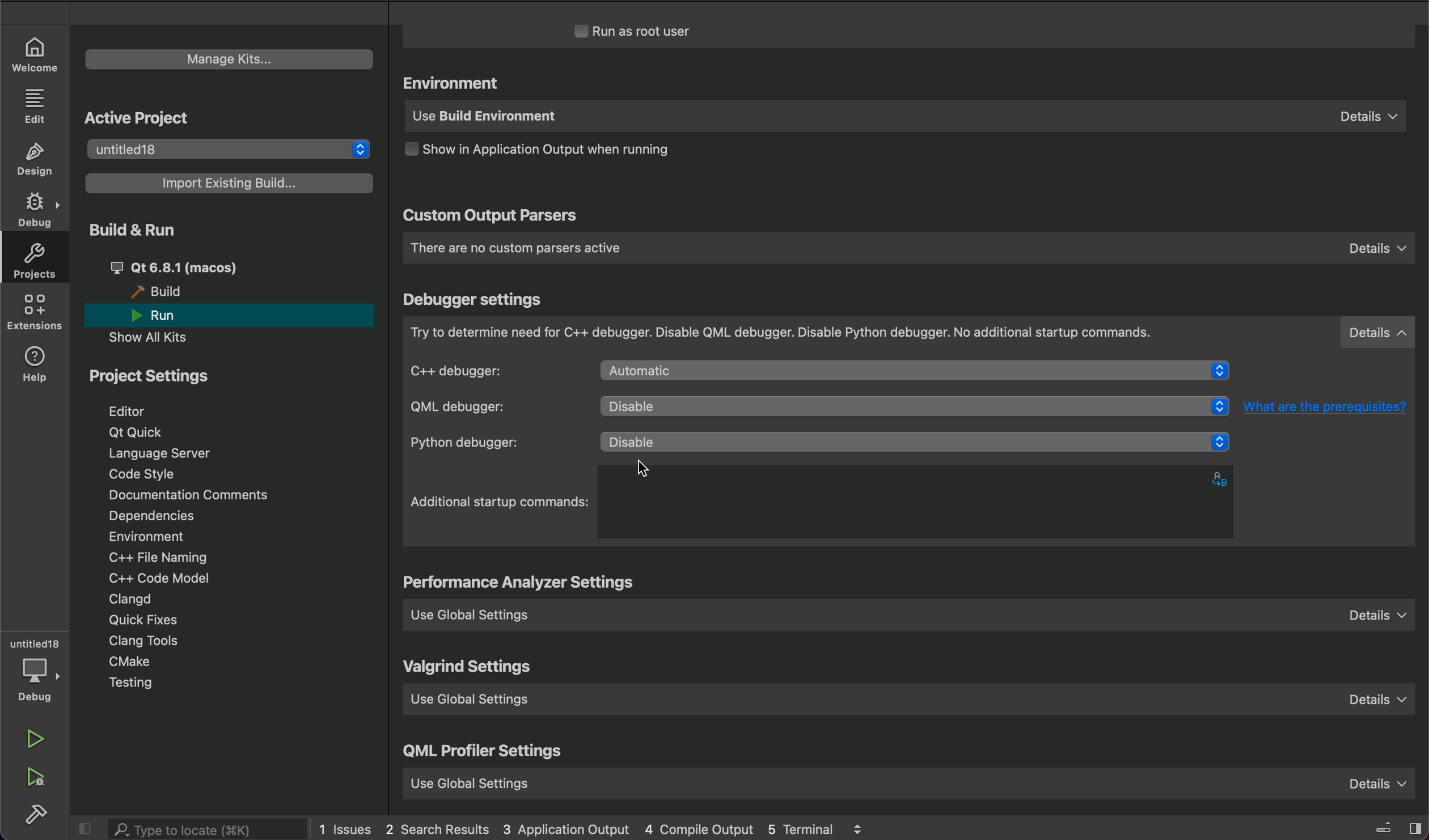  Describe the element at coordinates (1328, 409) in the screenshot. I see `What are the prerequisites?` at that location.